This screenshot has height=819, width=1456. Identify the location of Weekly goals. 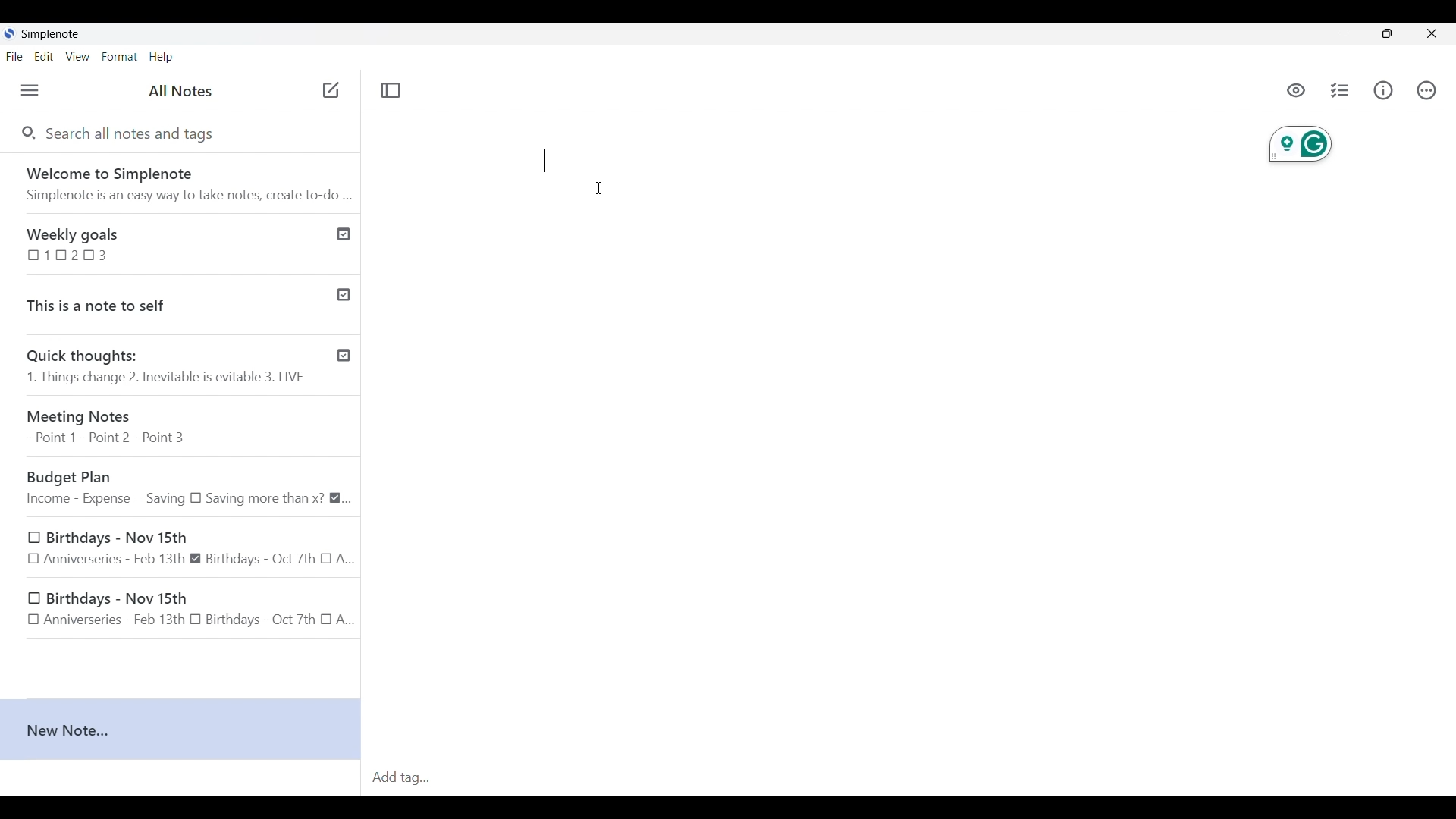
(162, 243).